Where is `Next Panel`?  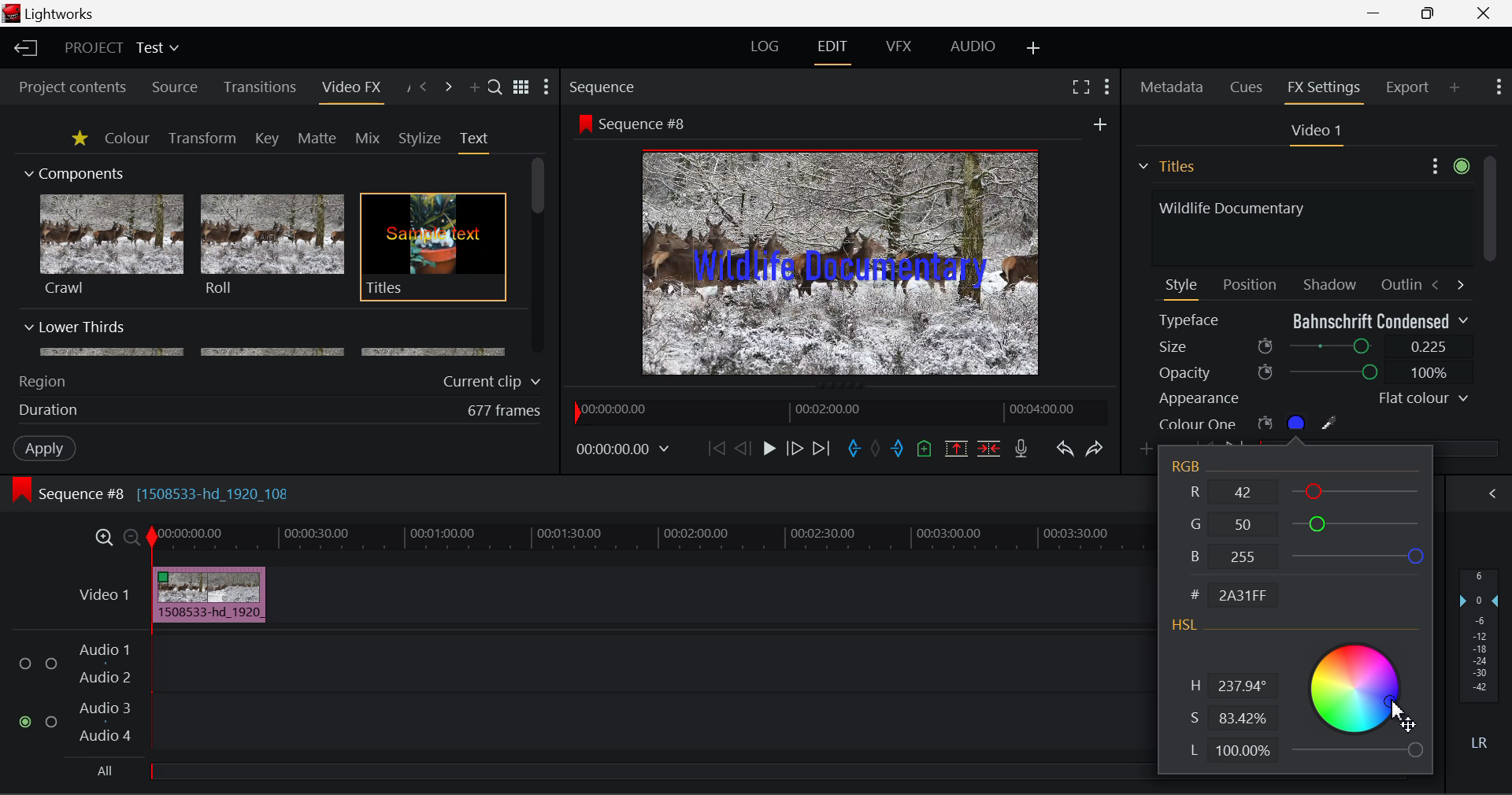 Next Panel is located at coordinates (450, 88).